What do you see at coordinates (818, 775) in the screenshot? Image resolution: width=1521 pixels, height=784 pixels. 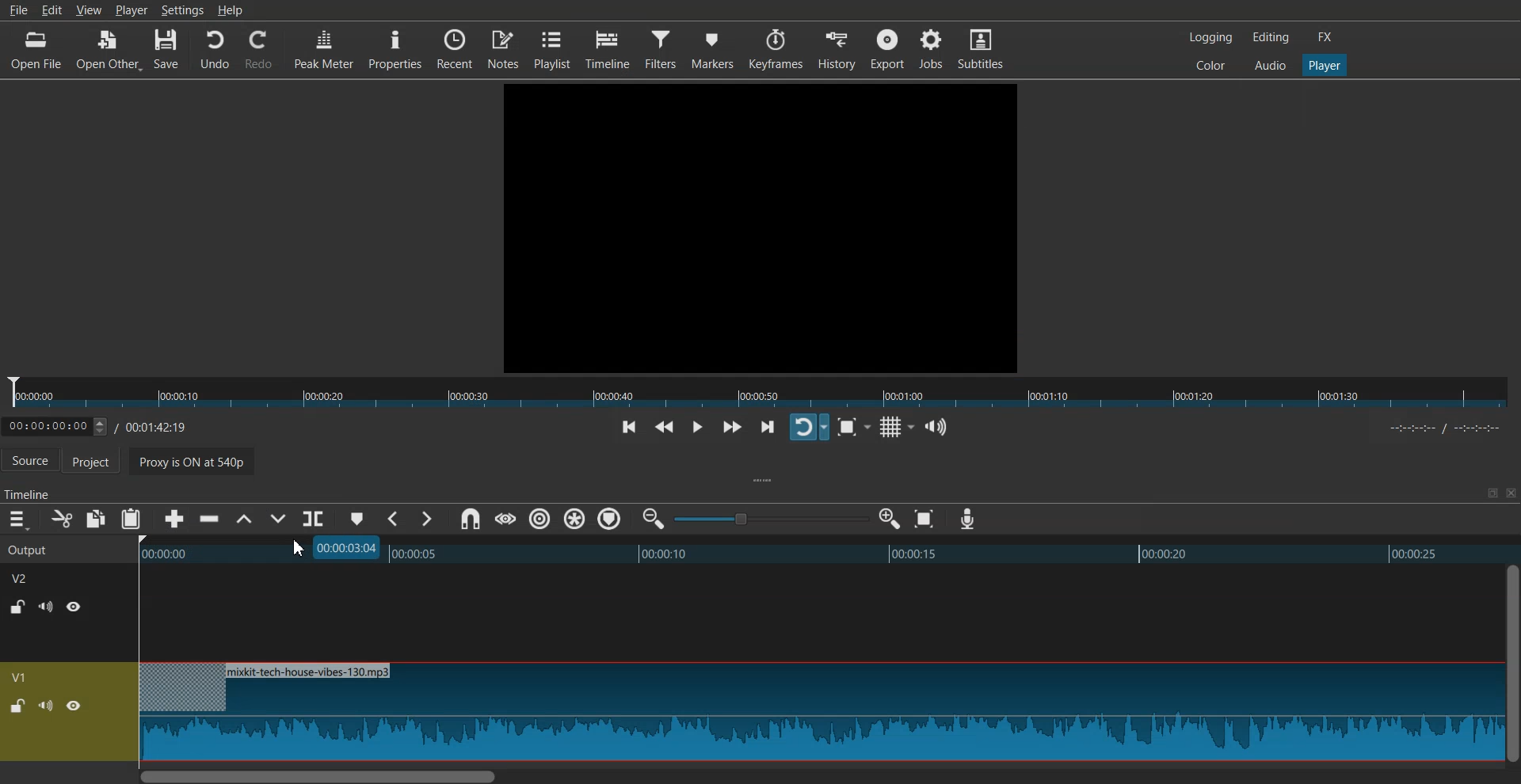 I see `Horizontal Scroll bar` at bounding box center [818, 775].